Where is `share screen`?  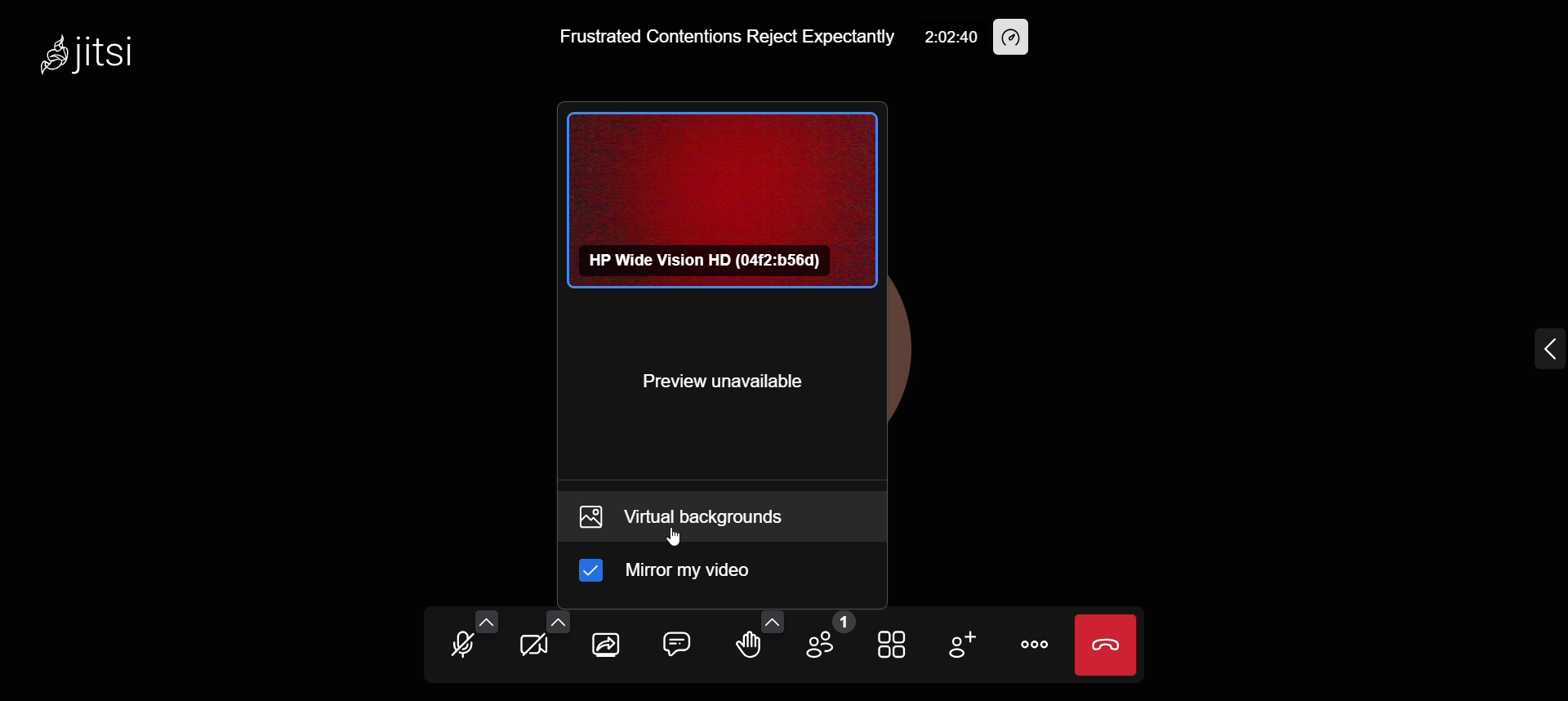
share screen is located at coordinates (604, 649).